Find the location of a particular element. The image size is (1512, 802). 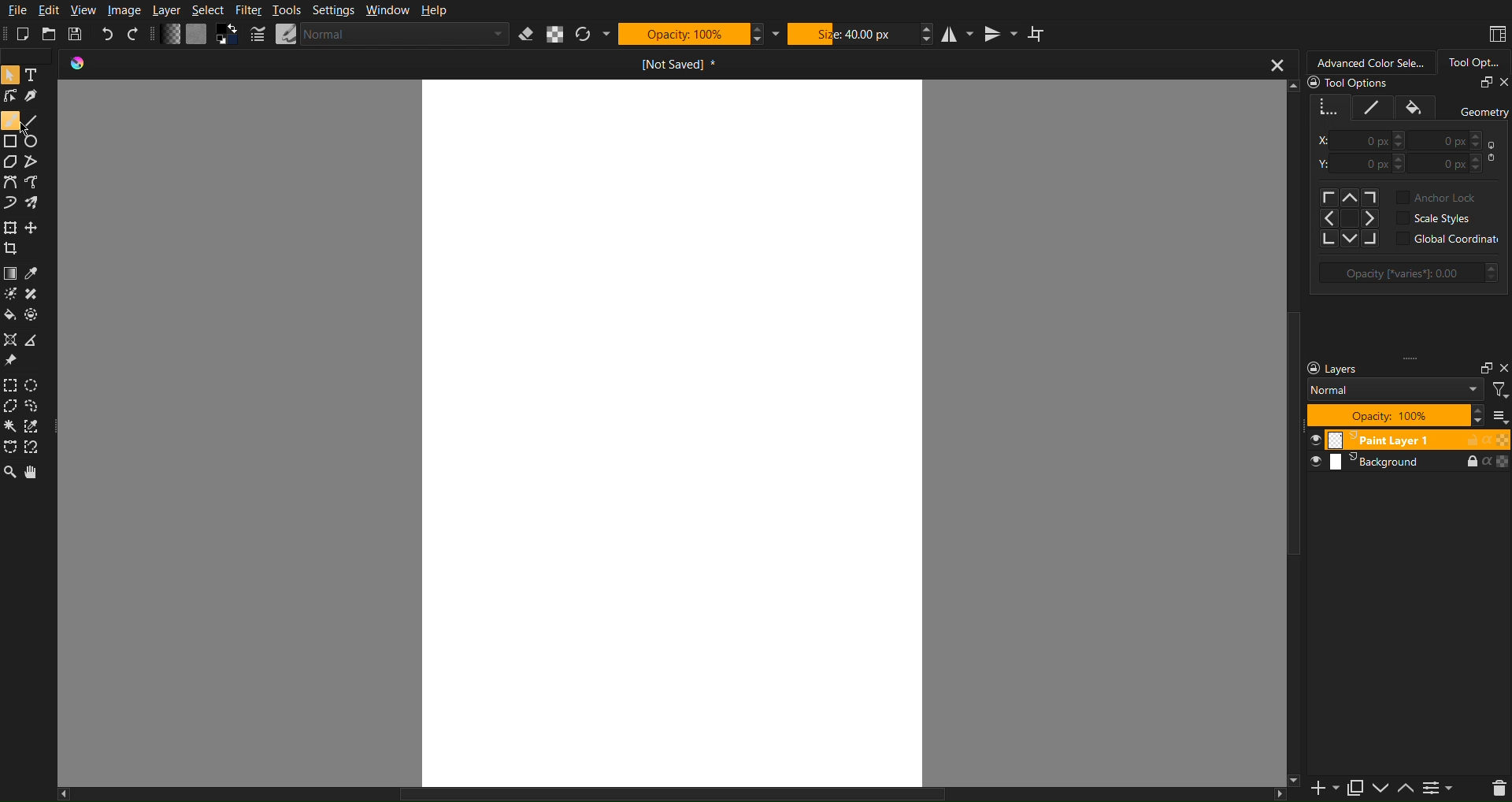

Magnet Marquee is located at coordinates (36, 448).